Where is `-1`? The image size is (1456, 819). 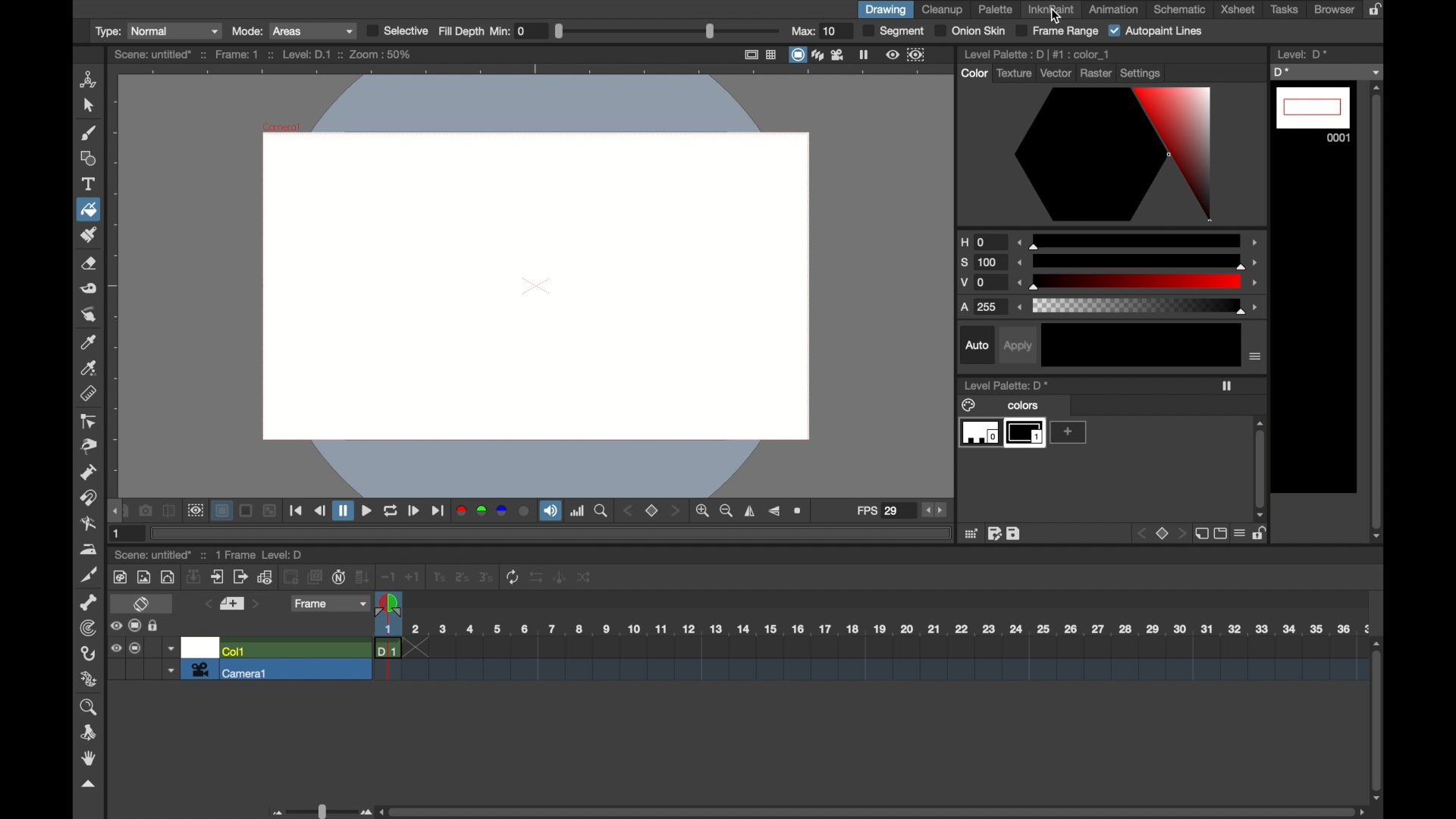 -1 is located at coordinates (388, 576).